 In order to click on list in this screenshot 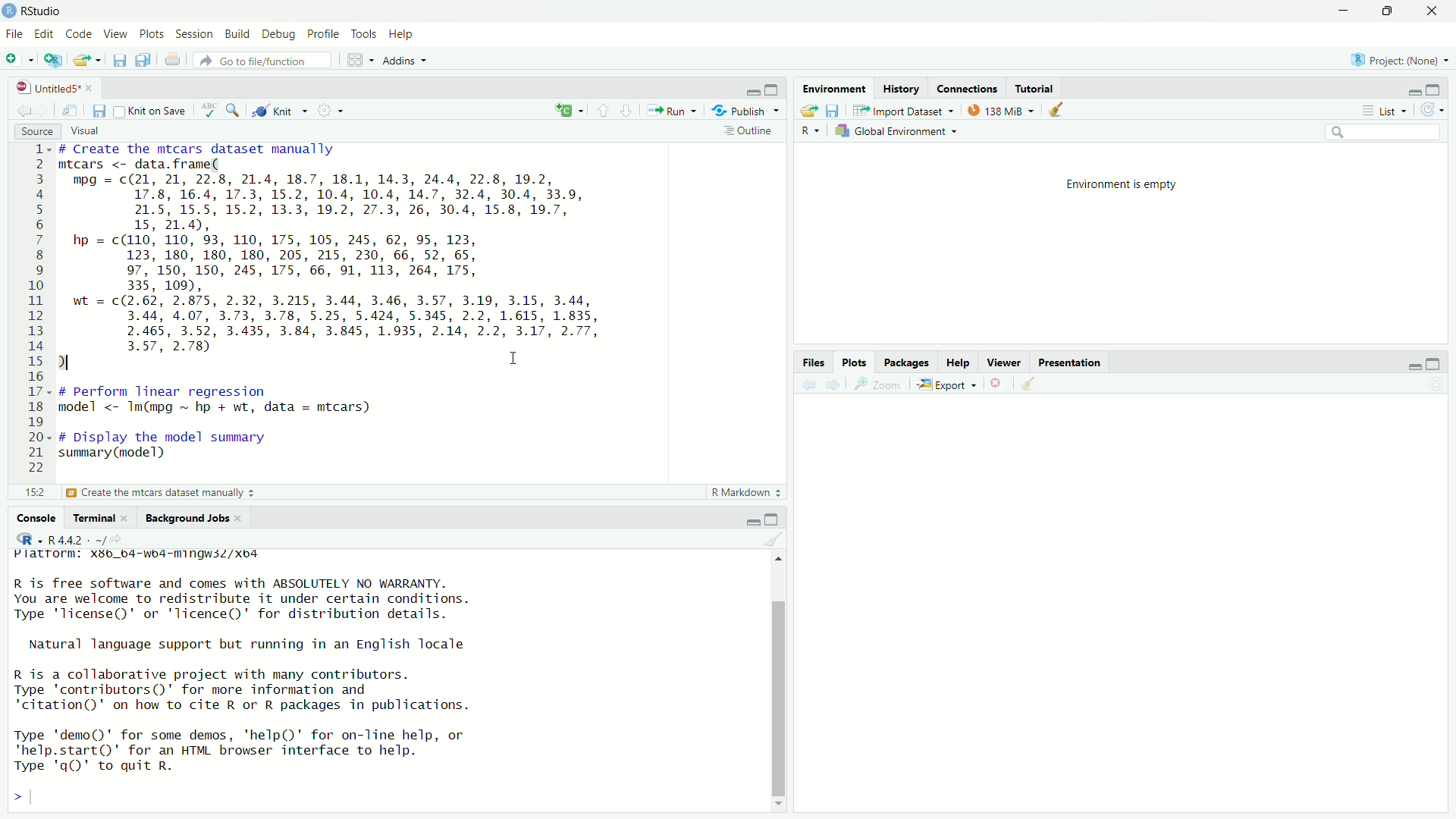, I will do `click(1389, 111)`.